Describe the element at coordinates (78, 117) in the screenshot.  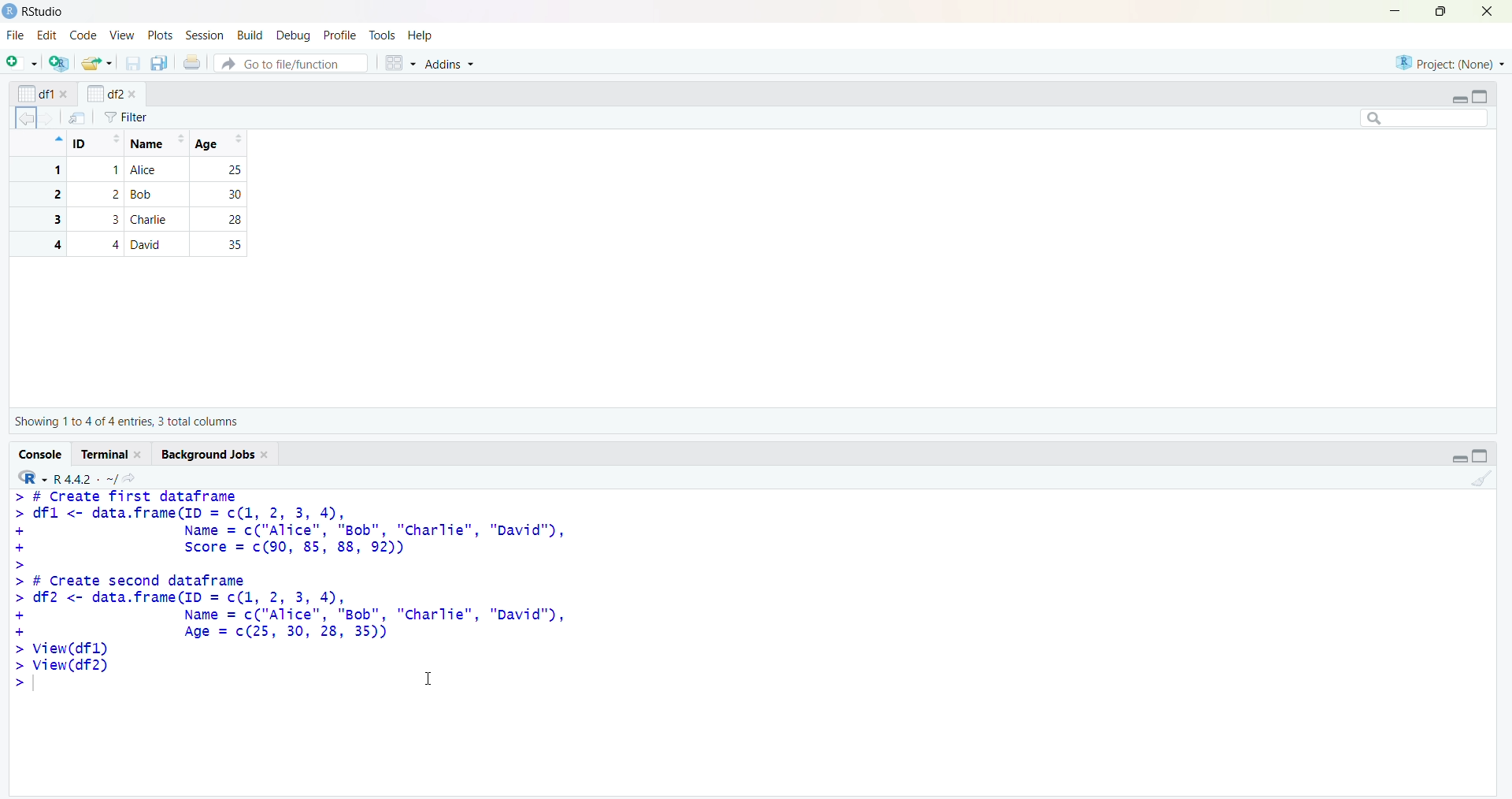
I see `send` at that location.